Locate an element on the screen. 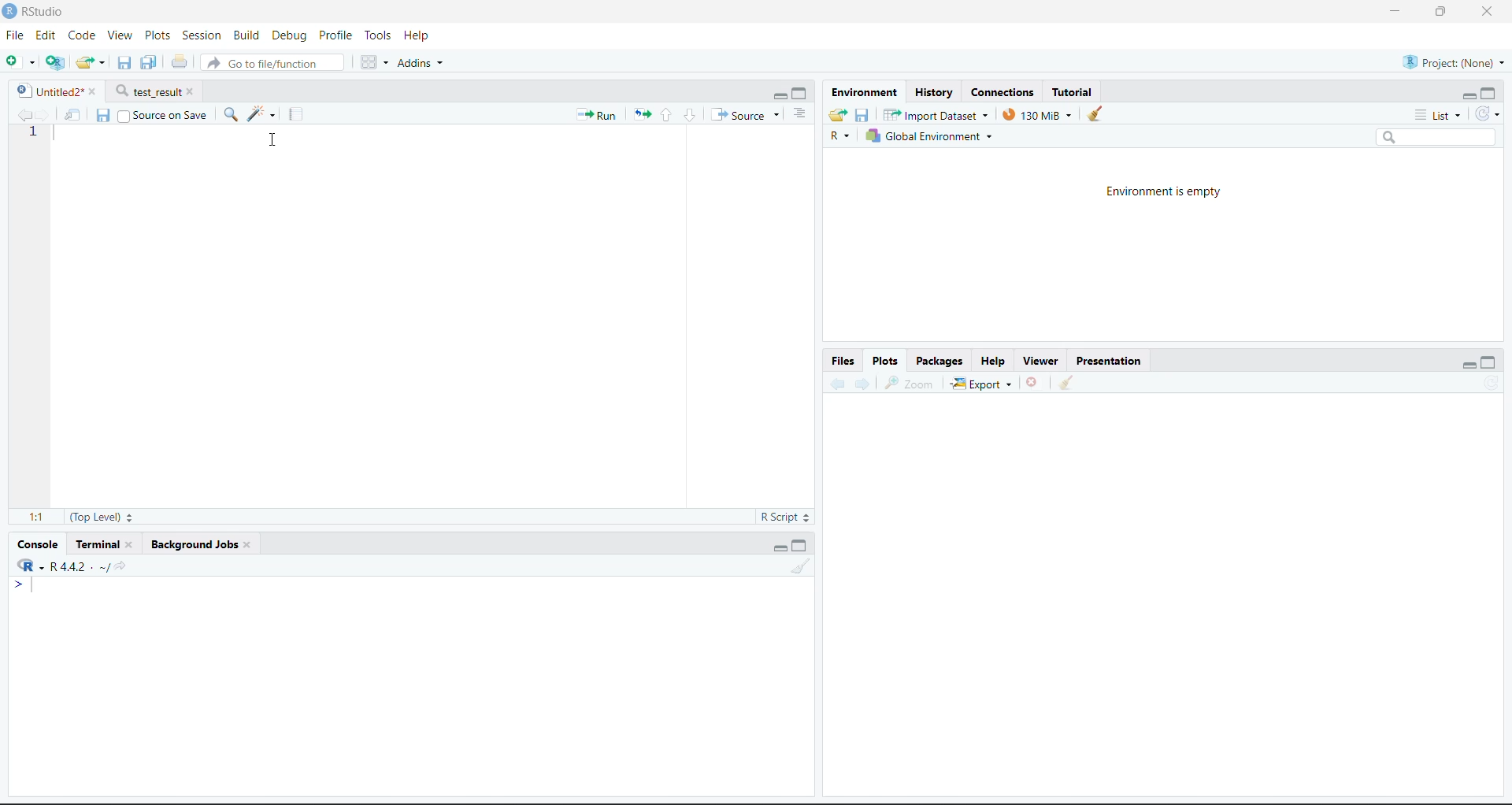 Image resolution: width=1512 pixels, height=805 pixels. Maximize is located at coordinates (1490, 91).